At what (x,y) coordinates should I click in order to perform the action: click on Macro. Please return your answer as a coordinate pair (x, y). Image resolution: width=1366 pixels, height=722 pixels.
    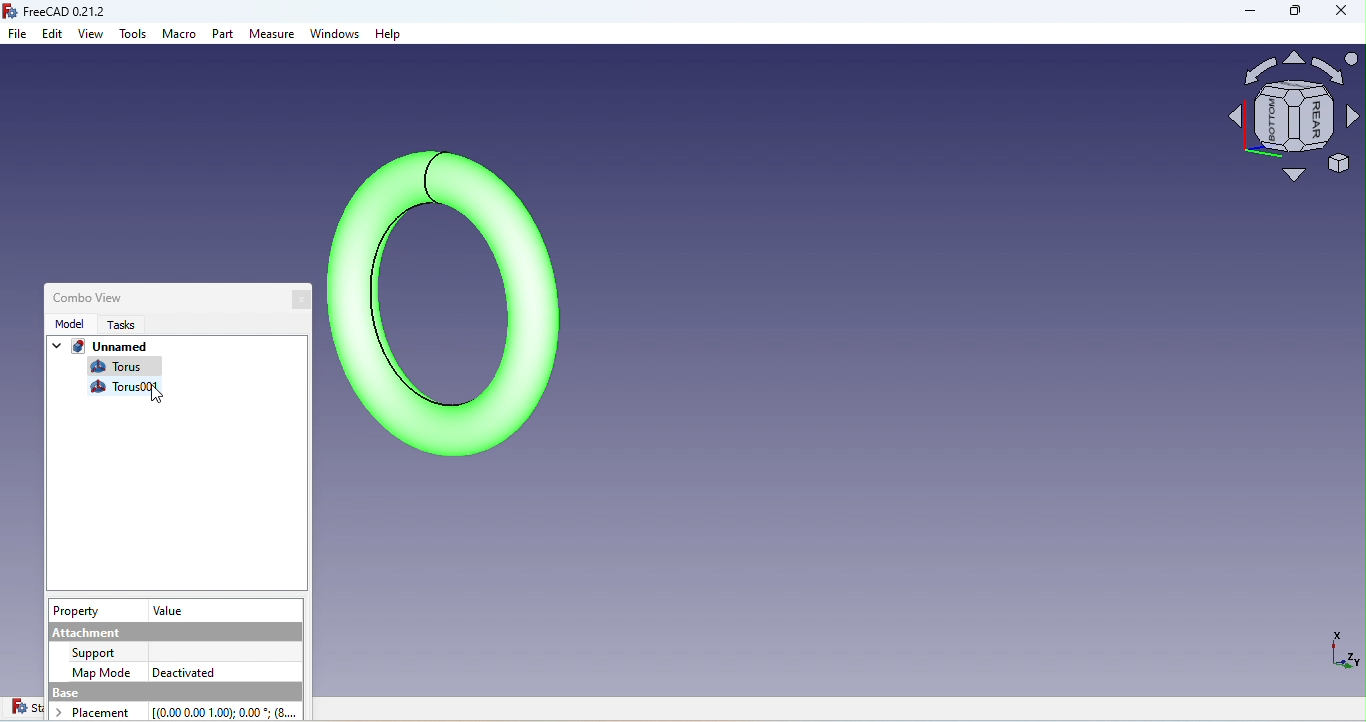
    Looking at the image, I should click on (180, 37).